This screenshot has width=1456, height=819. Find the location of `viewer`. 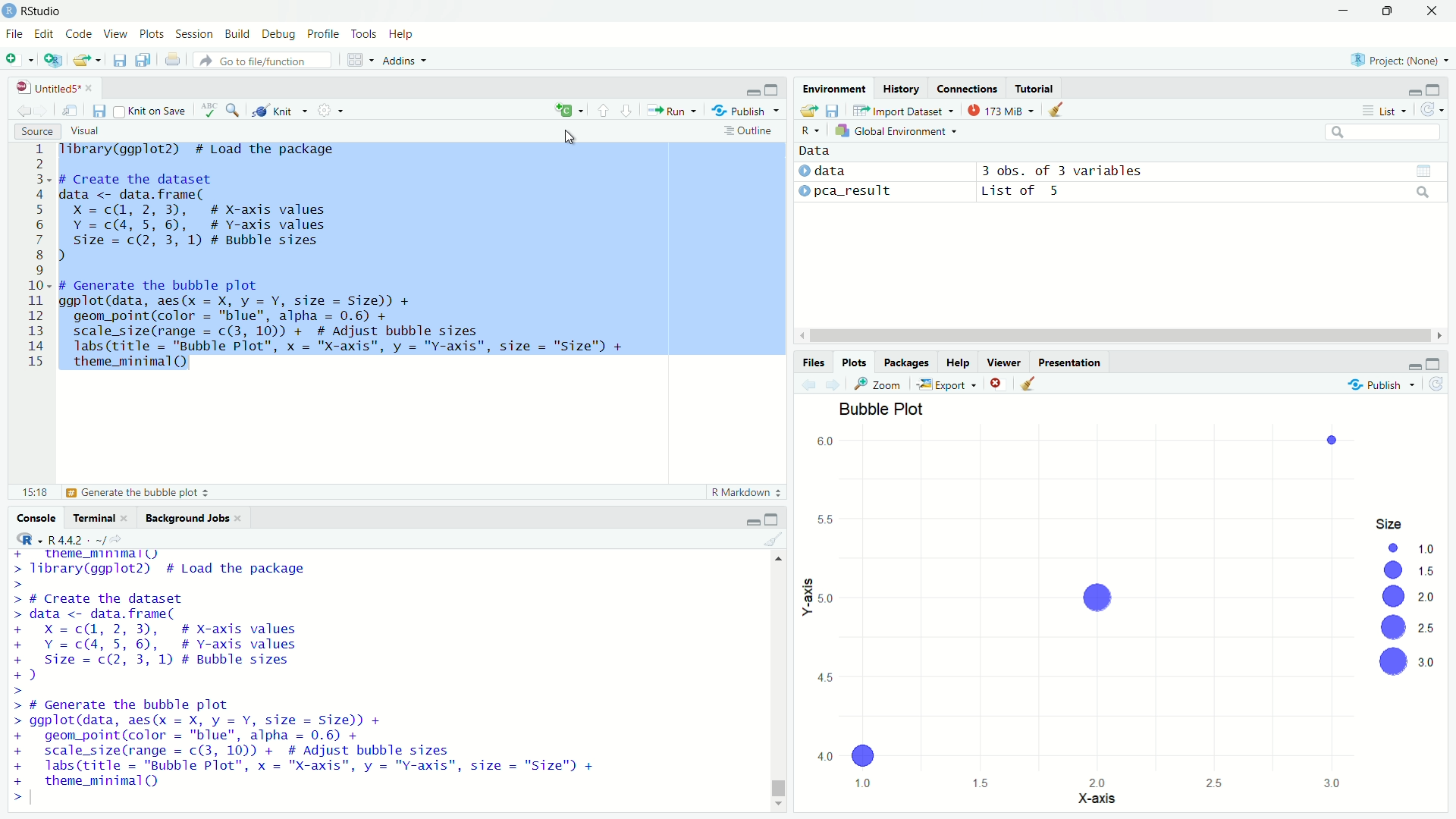

viewer is located at coordinates (1004, 362).